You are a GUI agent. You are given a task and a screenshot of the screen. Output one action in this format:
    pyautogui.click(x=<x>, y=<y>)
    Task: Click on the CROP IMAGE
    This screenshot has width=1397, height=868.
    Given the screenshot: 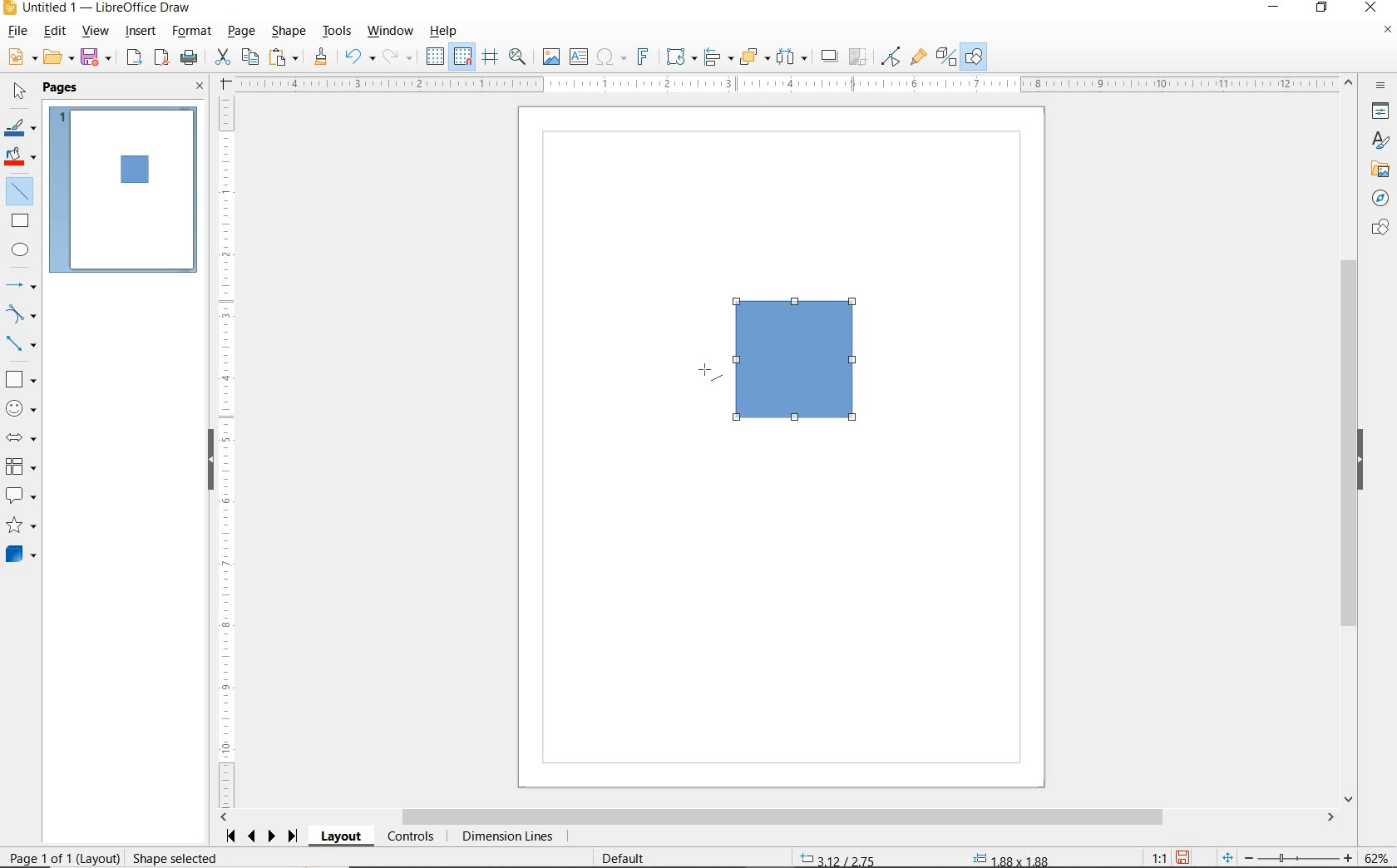 What is the action you would take?
    pyautogui.click(x=859, y=57)
    